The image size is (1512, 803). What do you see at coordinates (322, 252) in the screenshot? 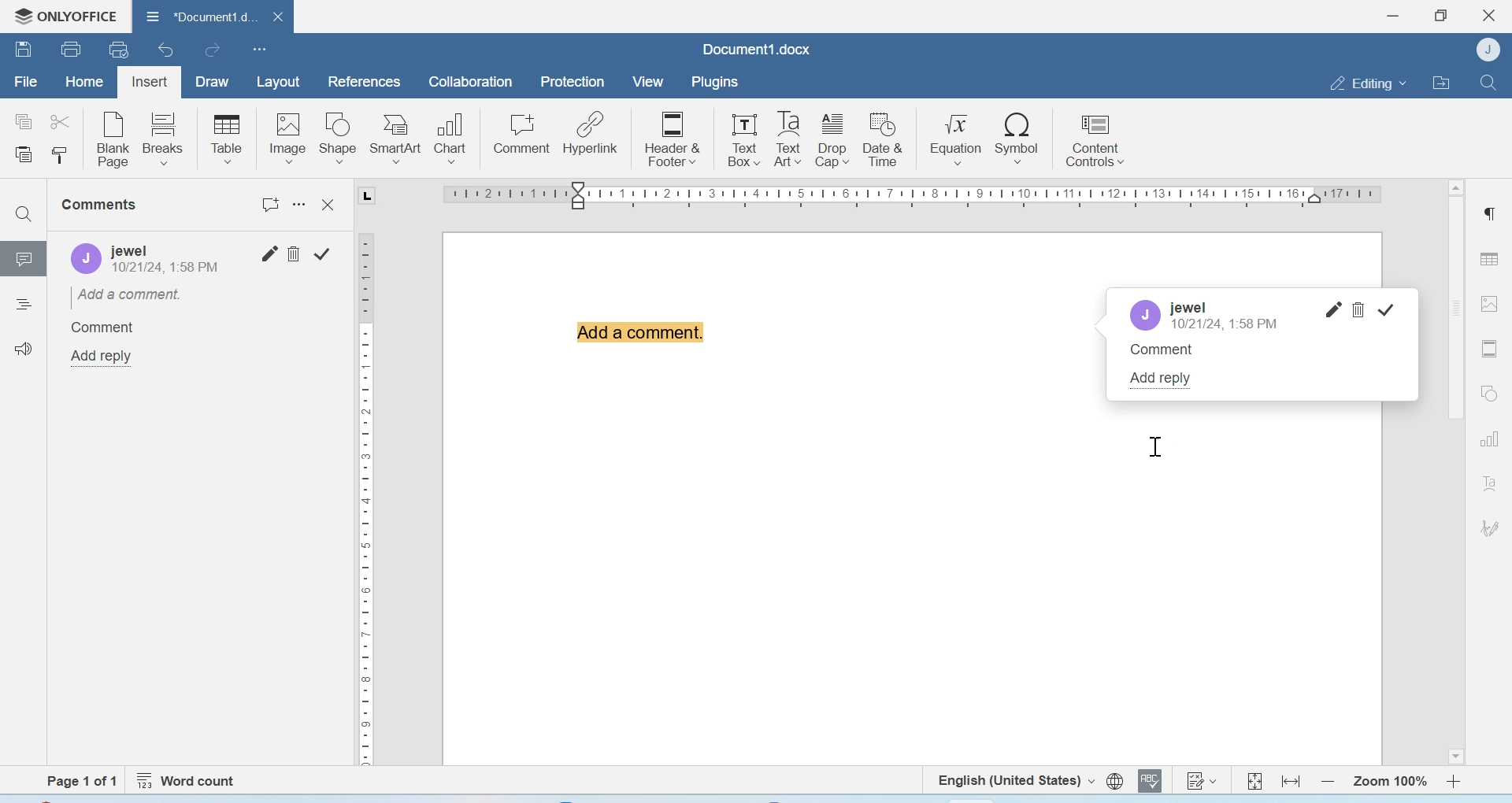
I see `Resolve` at bounding box center [322, 252].